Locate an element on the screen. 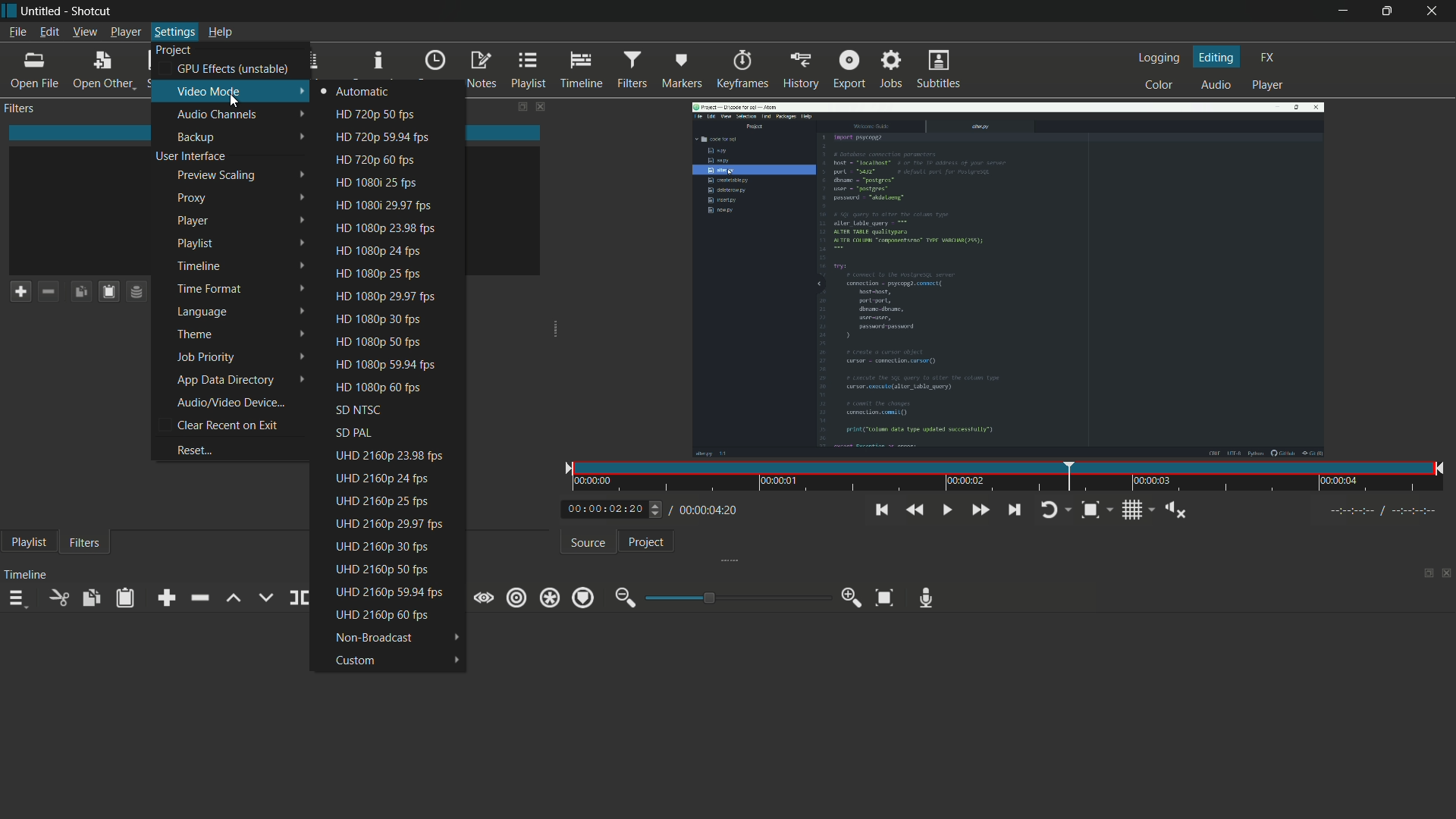 The width and height of the screenshot is (1456, 819). lift is located at coordinates (234, 600).